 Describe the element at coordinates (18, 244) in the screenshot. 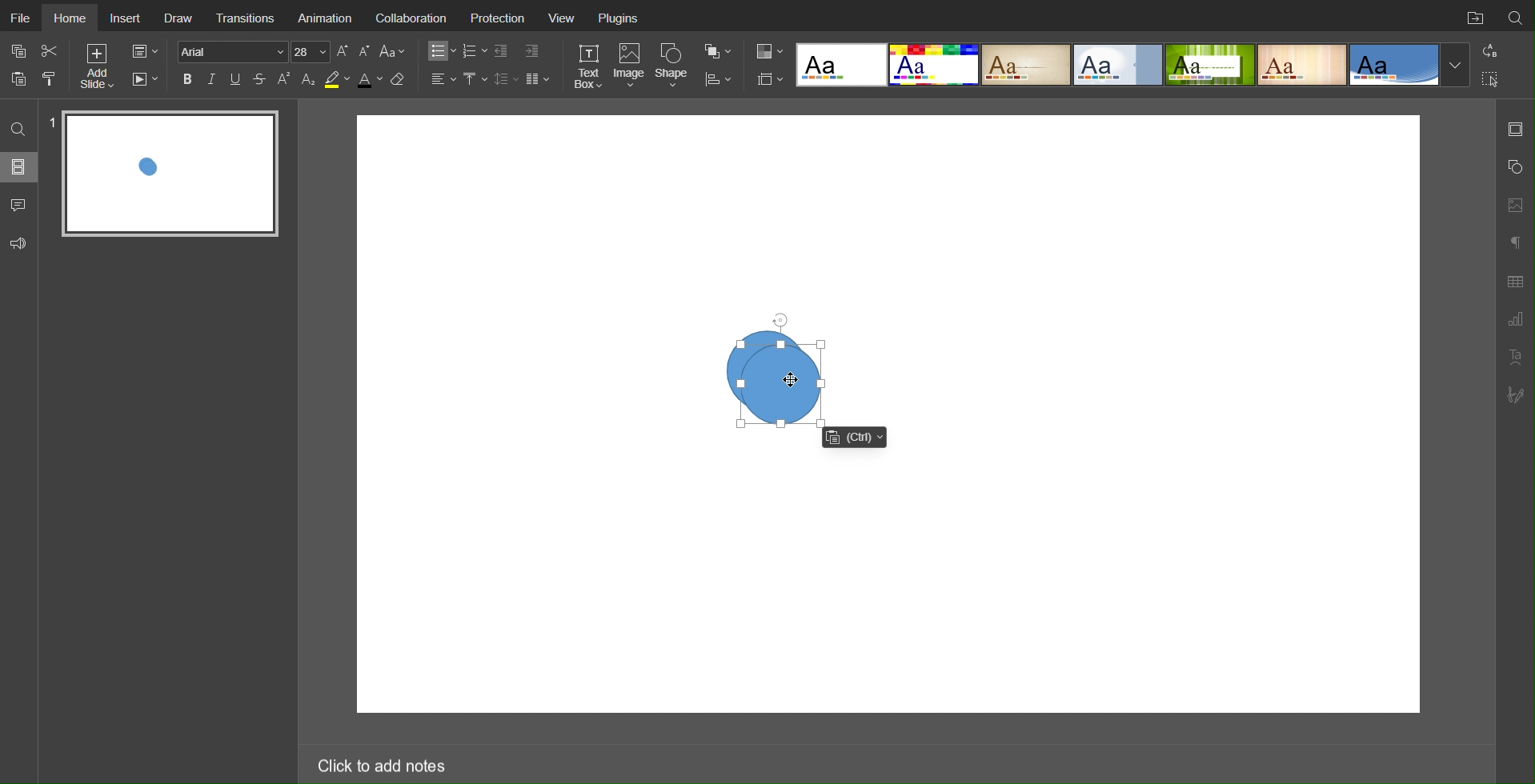

I see `Feedback and Support` at that location.